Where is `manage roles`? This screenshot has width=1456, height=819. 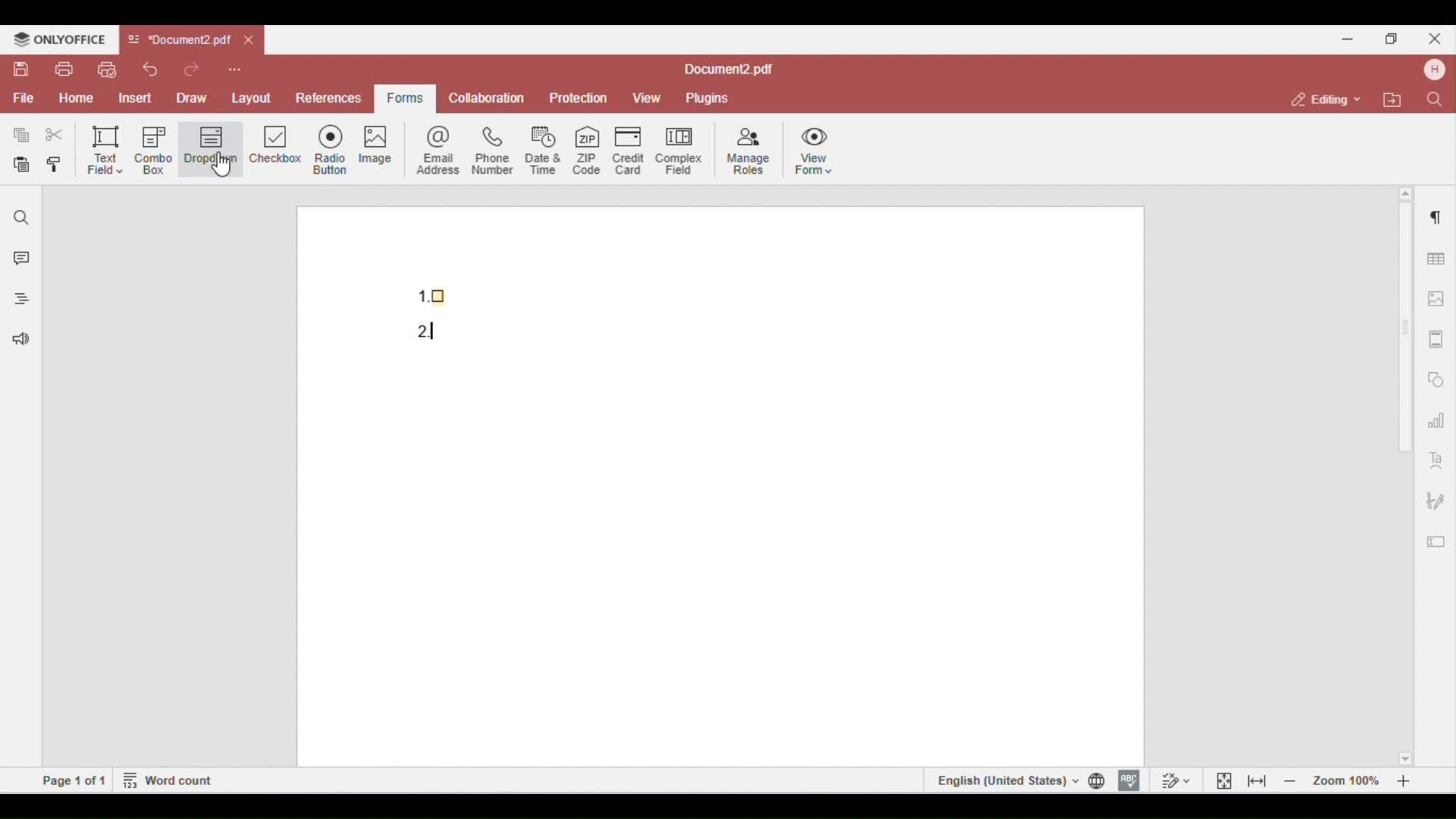 manage roles is located at coordinates (749, 152).